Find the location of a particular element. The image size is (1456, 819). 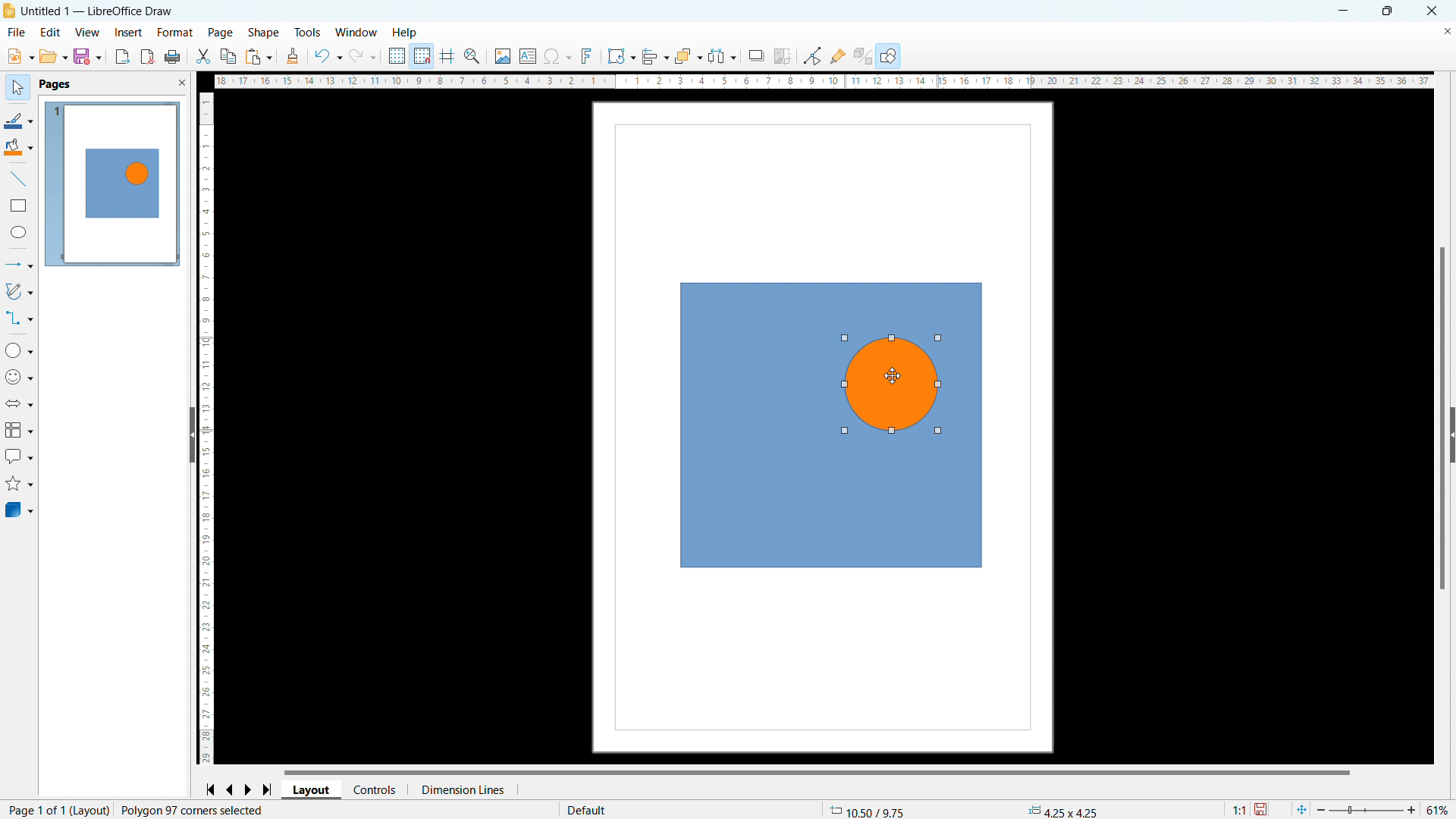

page is located at coordinates (221, 33).